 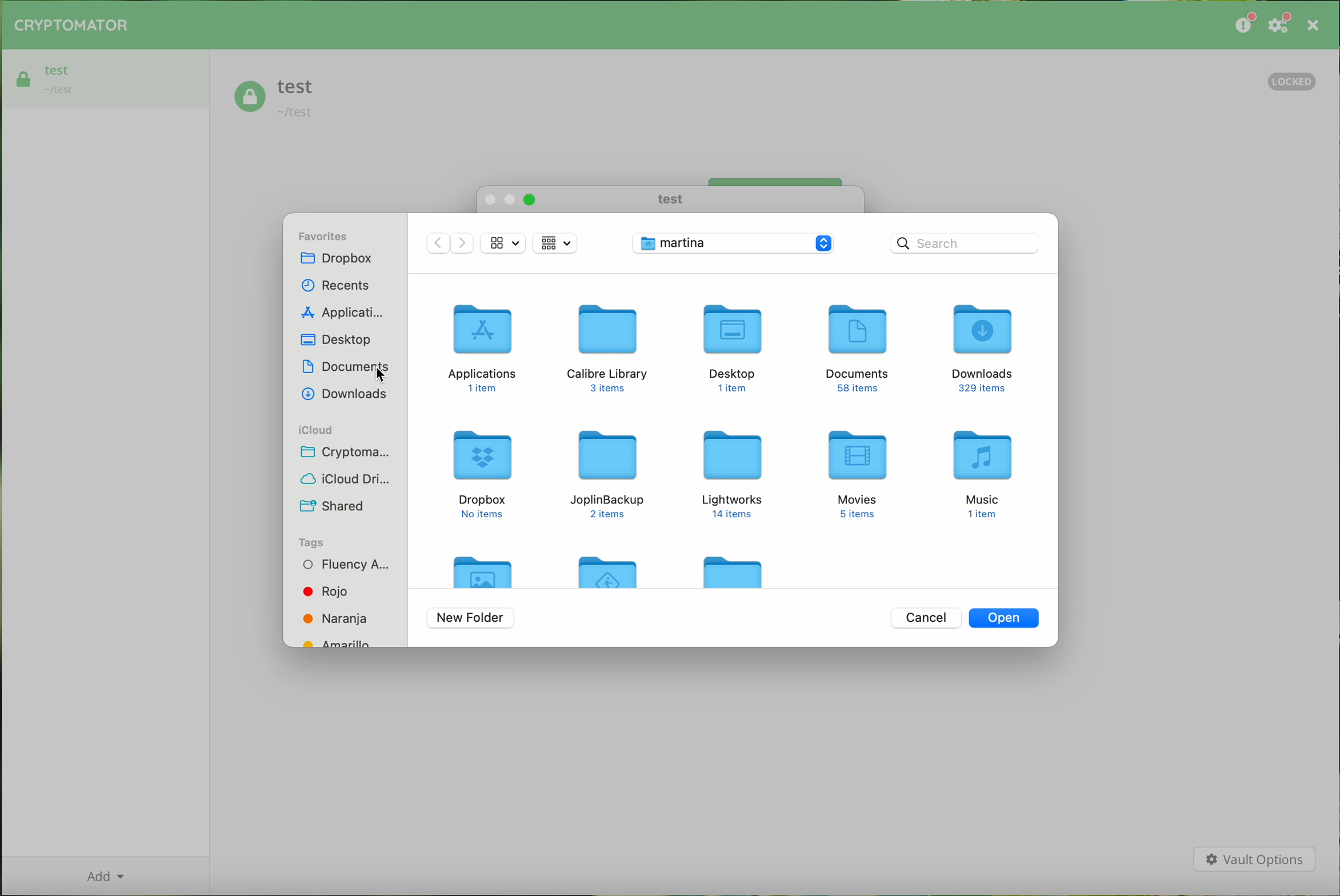 I want to click on donate, so click(x=1243, y=25).